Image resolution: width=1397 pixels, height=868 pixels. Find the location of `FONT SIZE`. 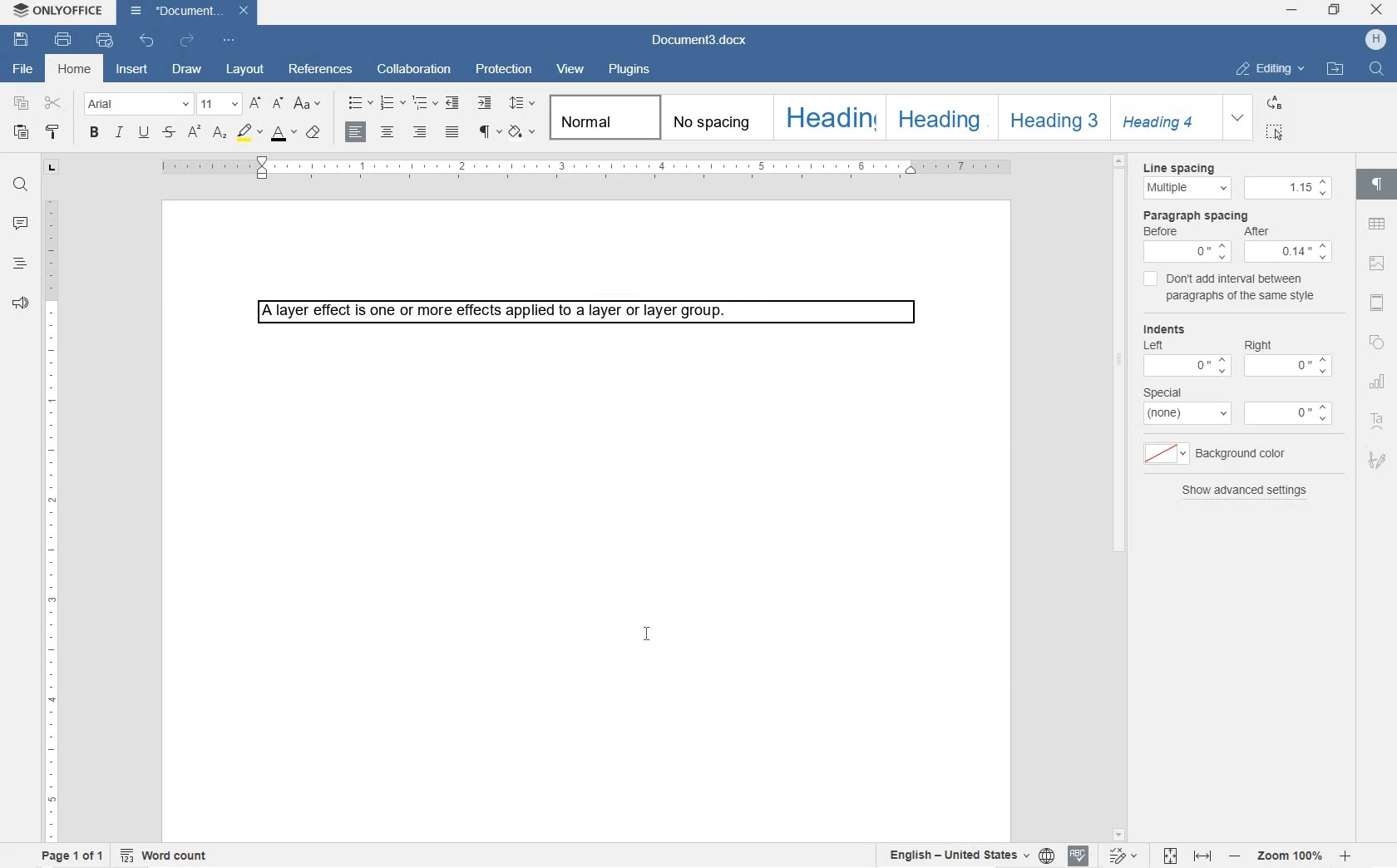

FONT SIZE is located at coordinates (218, 106).